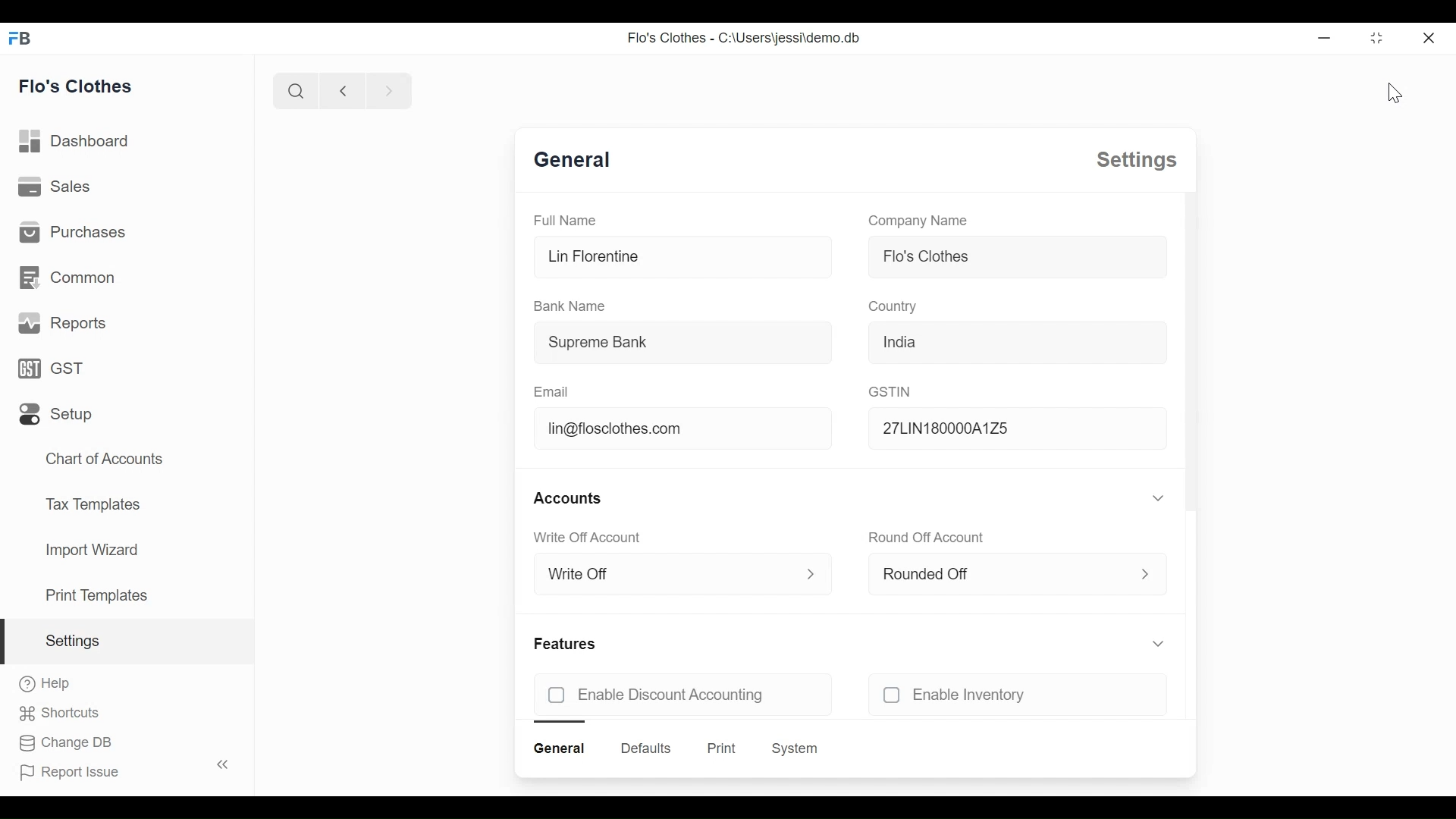  Describe the element at coordinates (571, 495) in the screenshot. I see `Accounts` at that location.